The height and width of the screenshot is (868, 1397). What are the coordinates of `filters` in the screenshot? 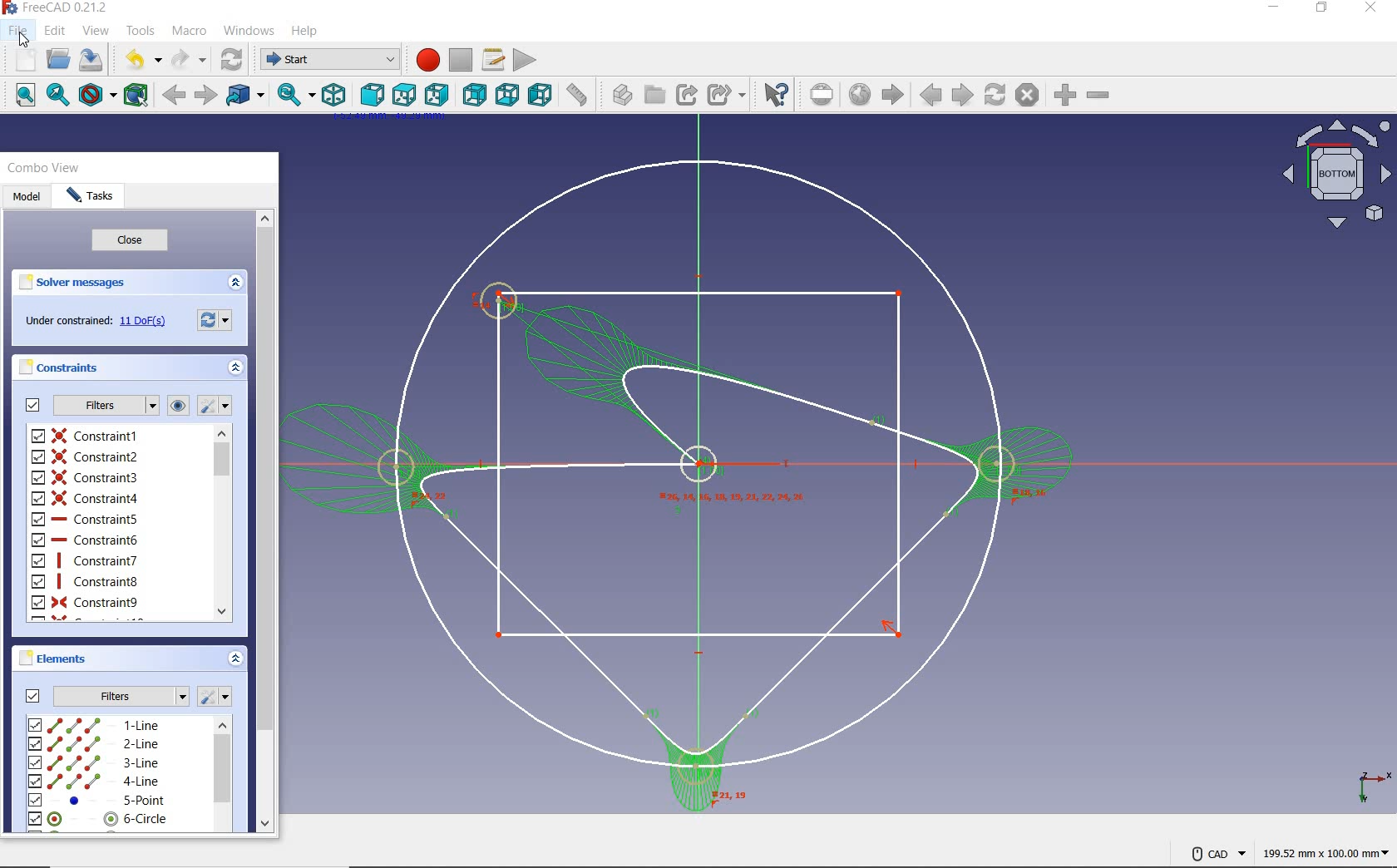 It's located at (101, 695).